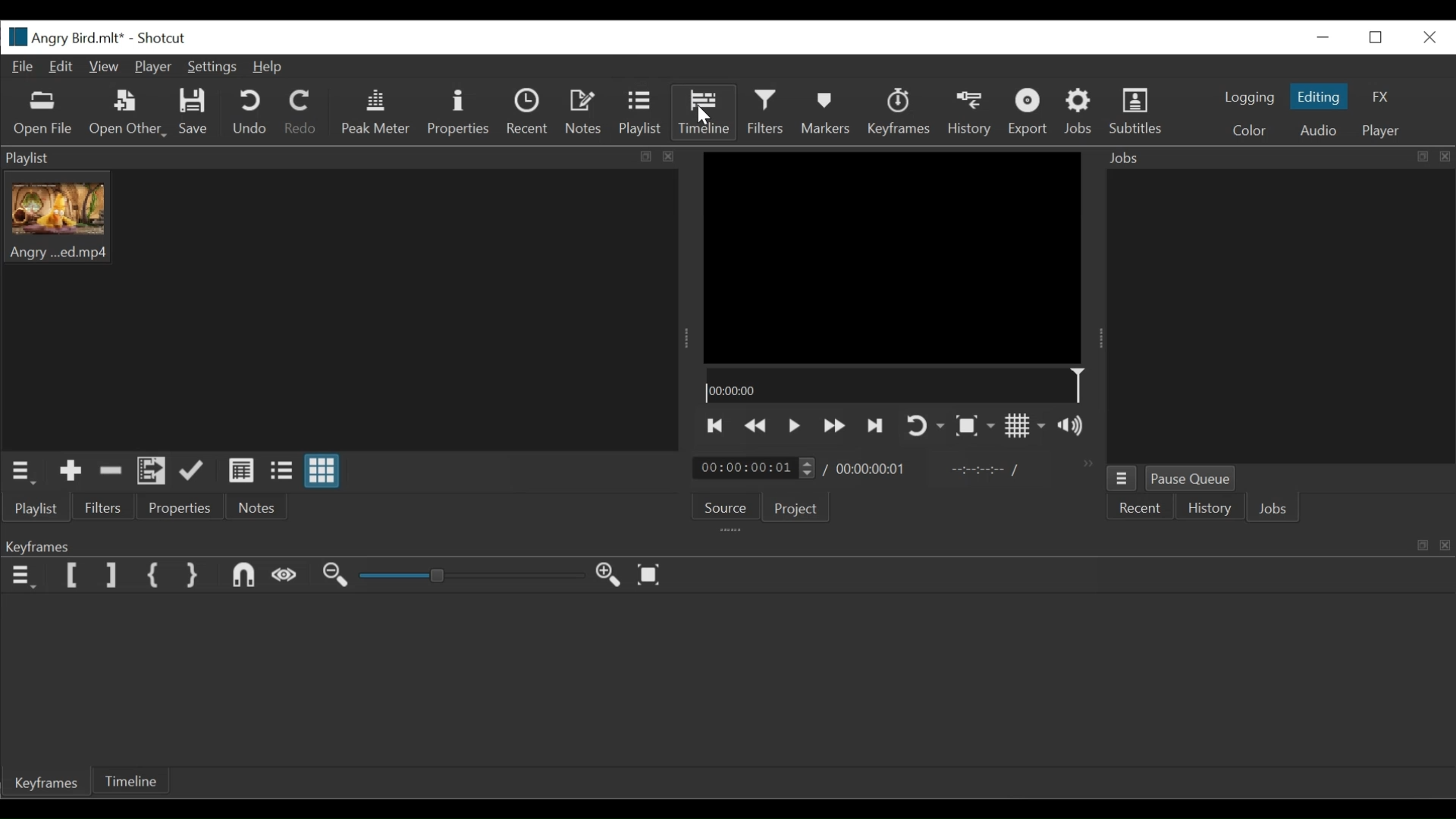 This screenshot has width=1456, height=819. What do you see at coordinates (162, 39) in the screenshot?
I see `Shotcut` at bounding box center [162, 39].